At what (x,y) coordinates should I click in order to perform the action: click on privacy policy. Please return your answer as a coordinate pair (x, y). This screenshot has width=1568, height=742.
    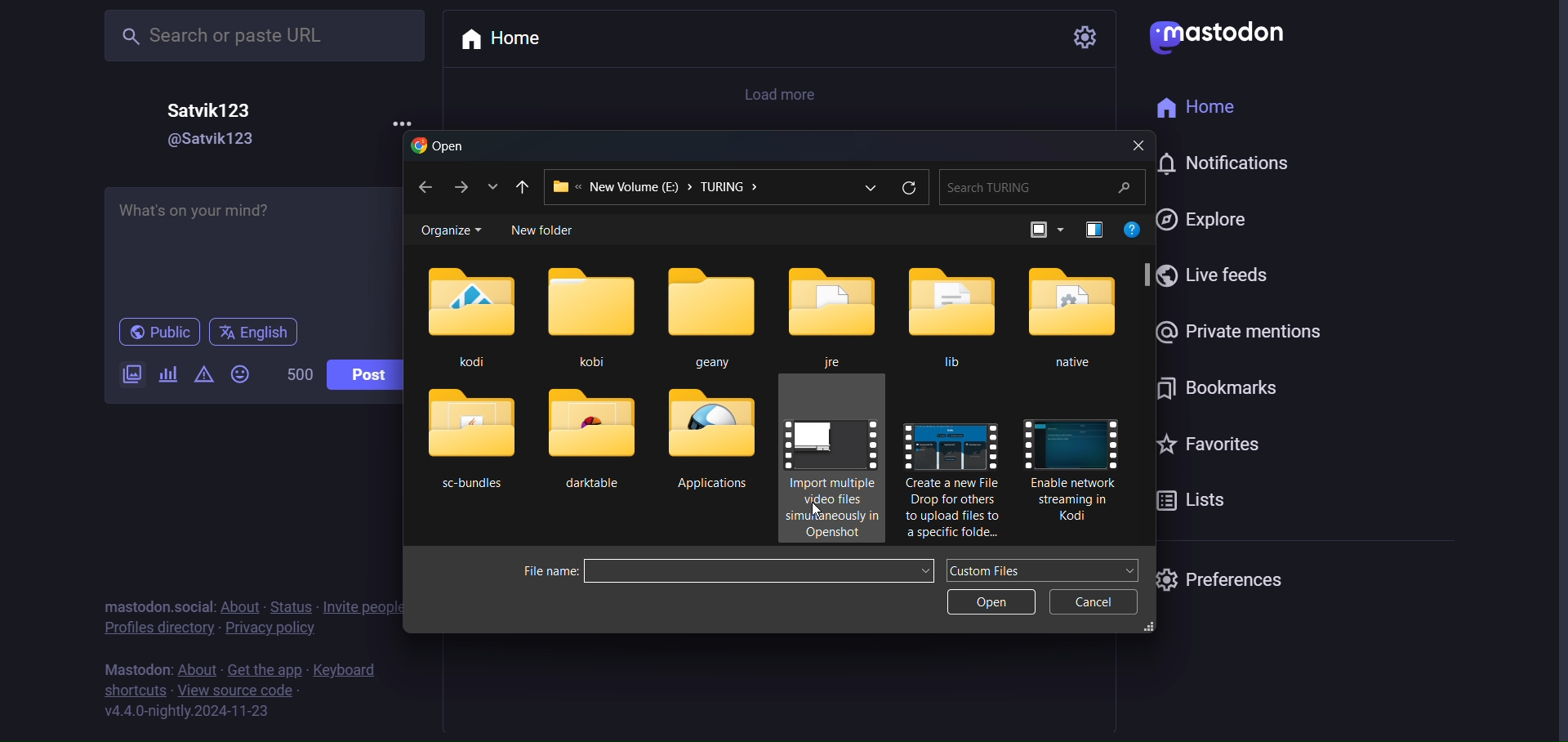
    Looking at the image, I should click on (269, 629).